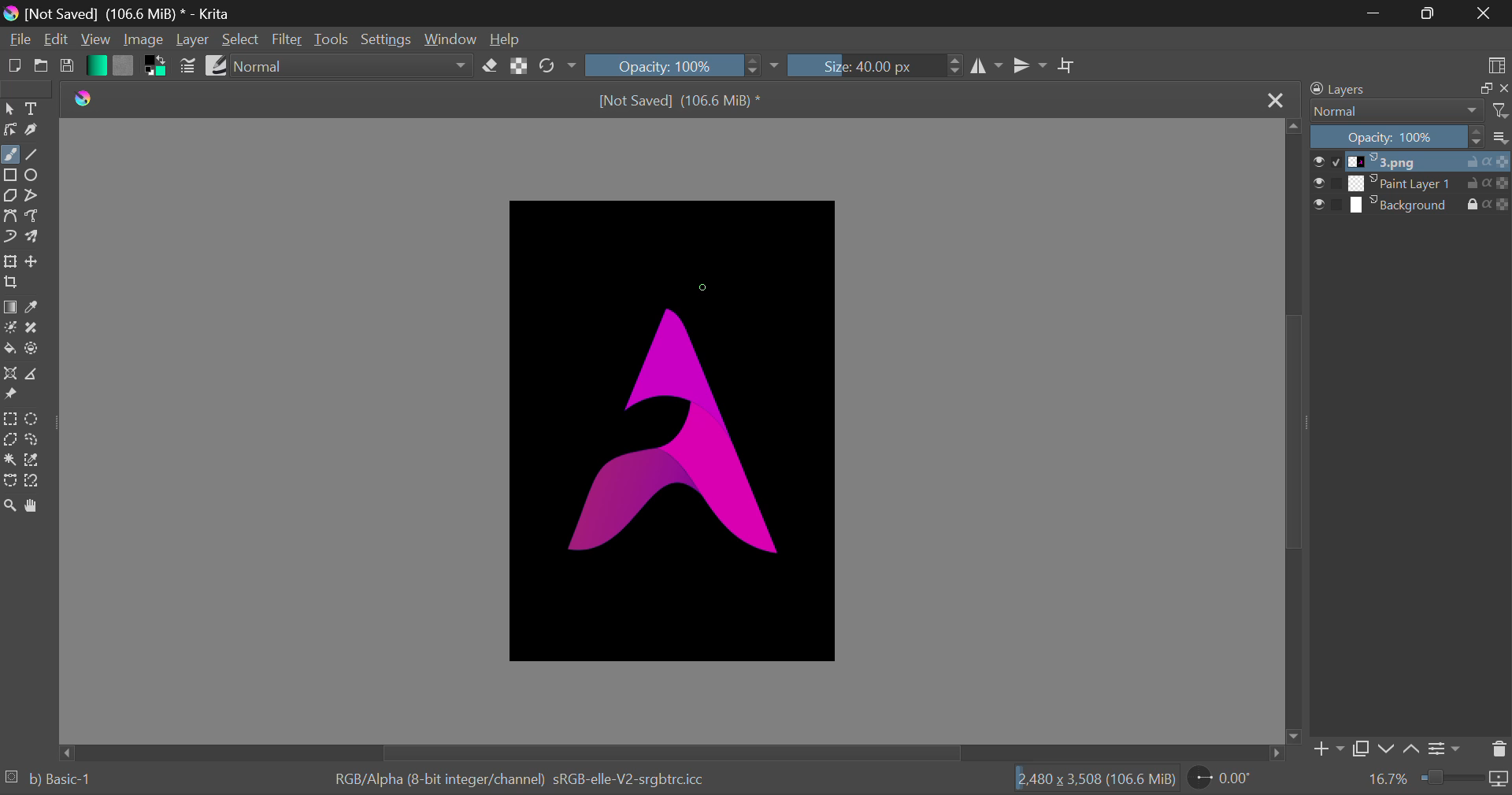  I want to click on Krita Logo, so click(83, 97).